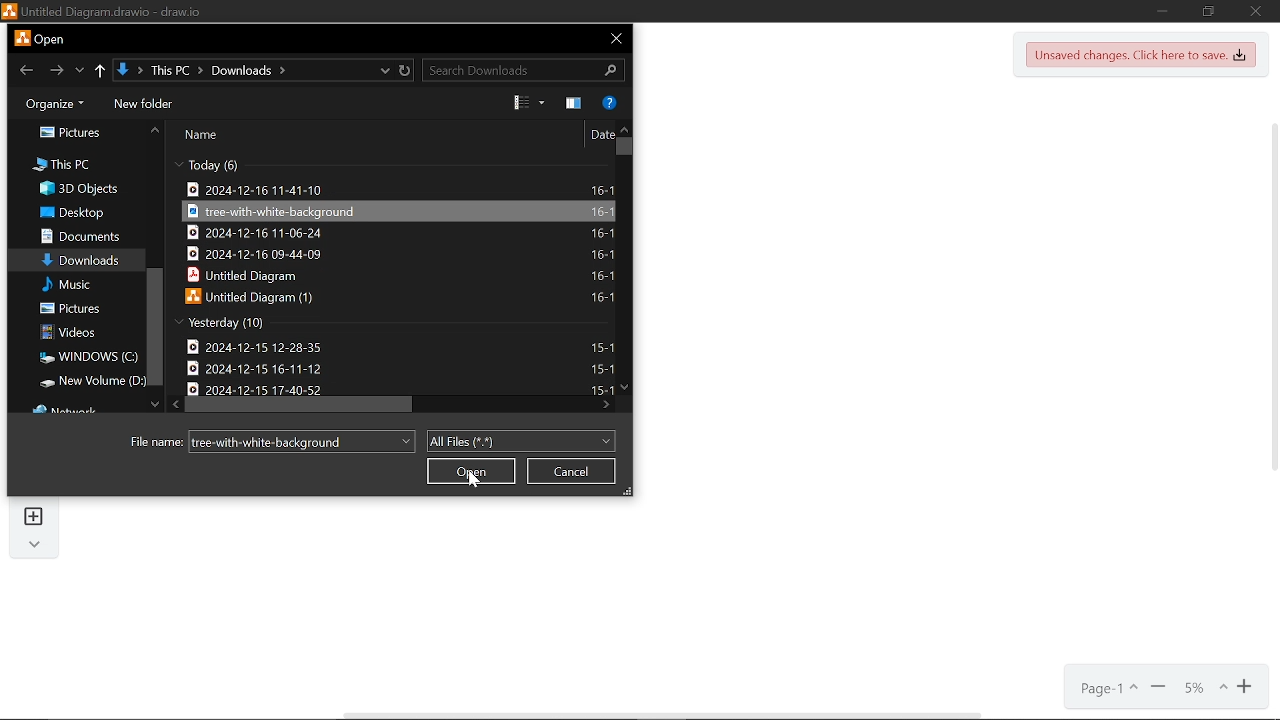 The image size is (1280, 720). Describe the element at coordinates (154, 444) in the screenshot. I see `file name` at that location.